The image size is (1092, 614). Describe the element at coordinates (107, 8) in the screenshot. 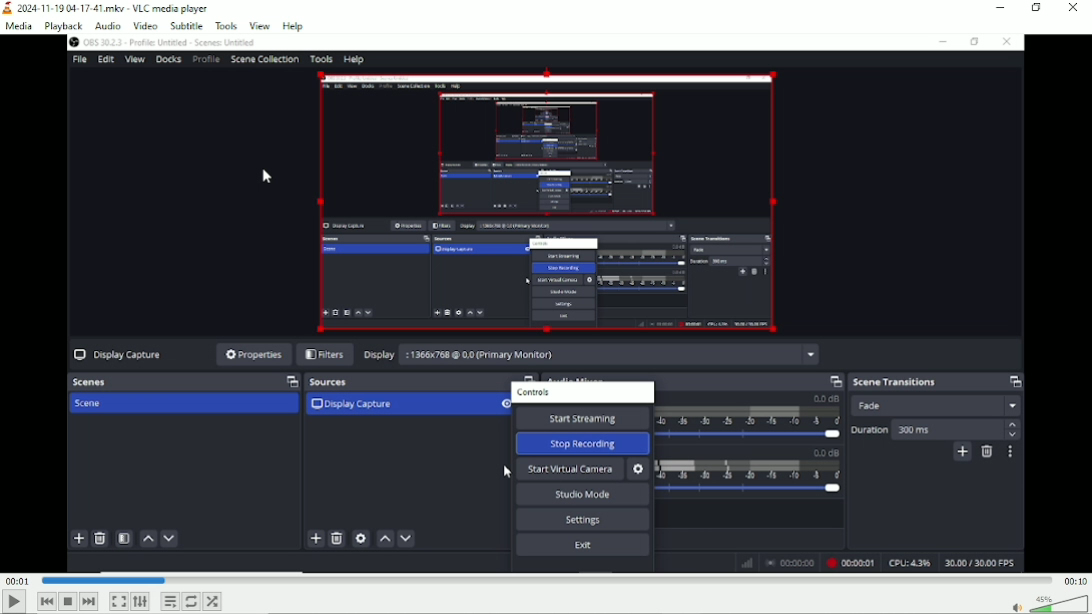

I see `title` at that location.